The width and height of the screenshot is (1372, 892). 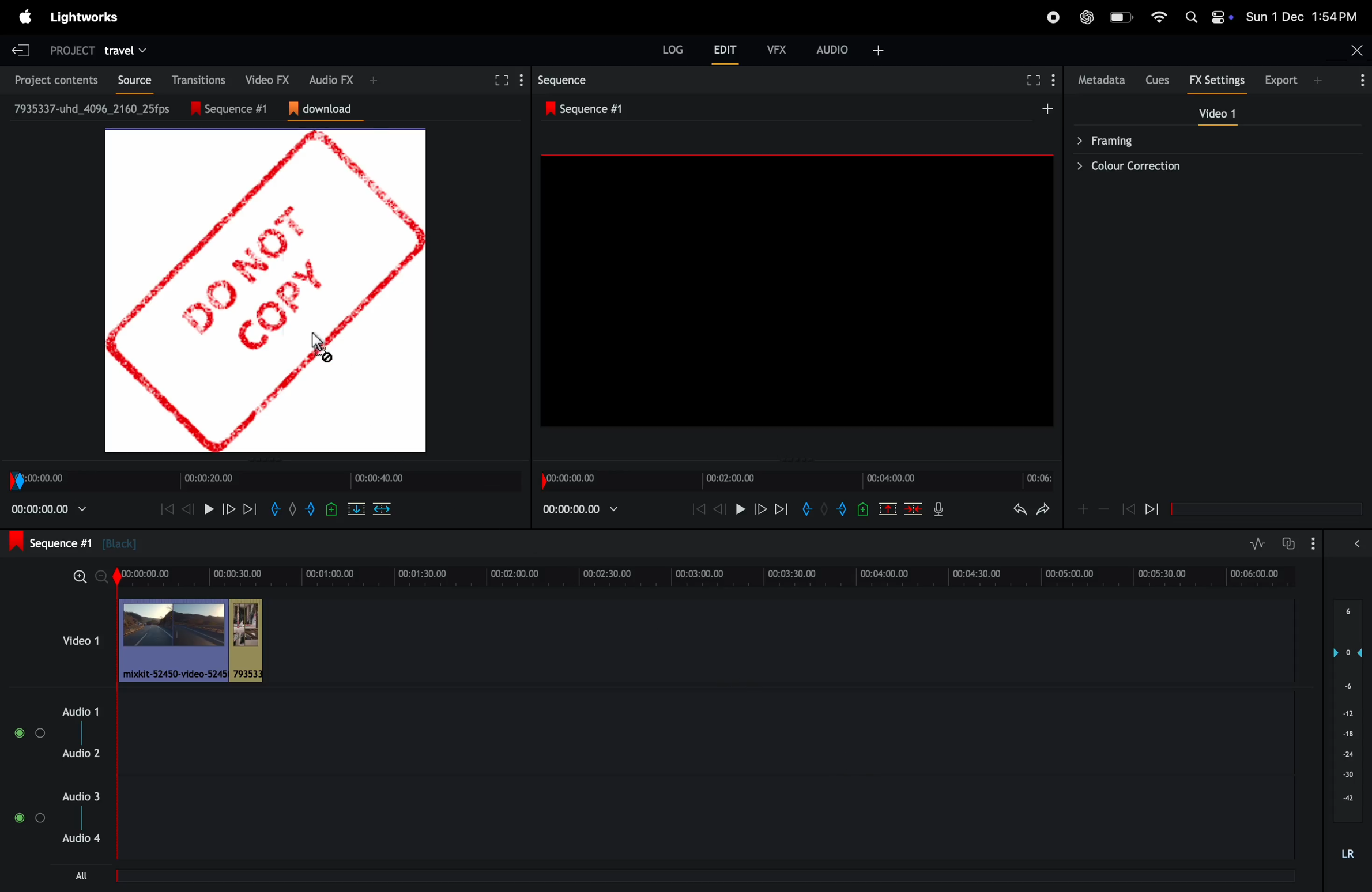 What do you see at coordinates (31, 733) in the screenshot?
I see `bars` at bounding box center [31, 733].